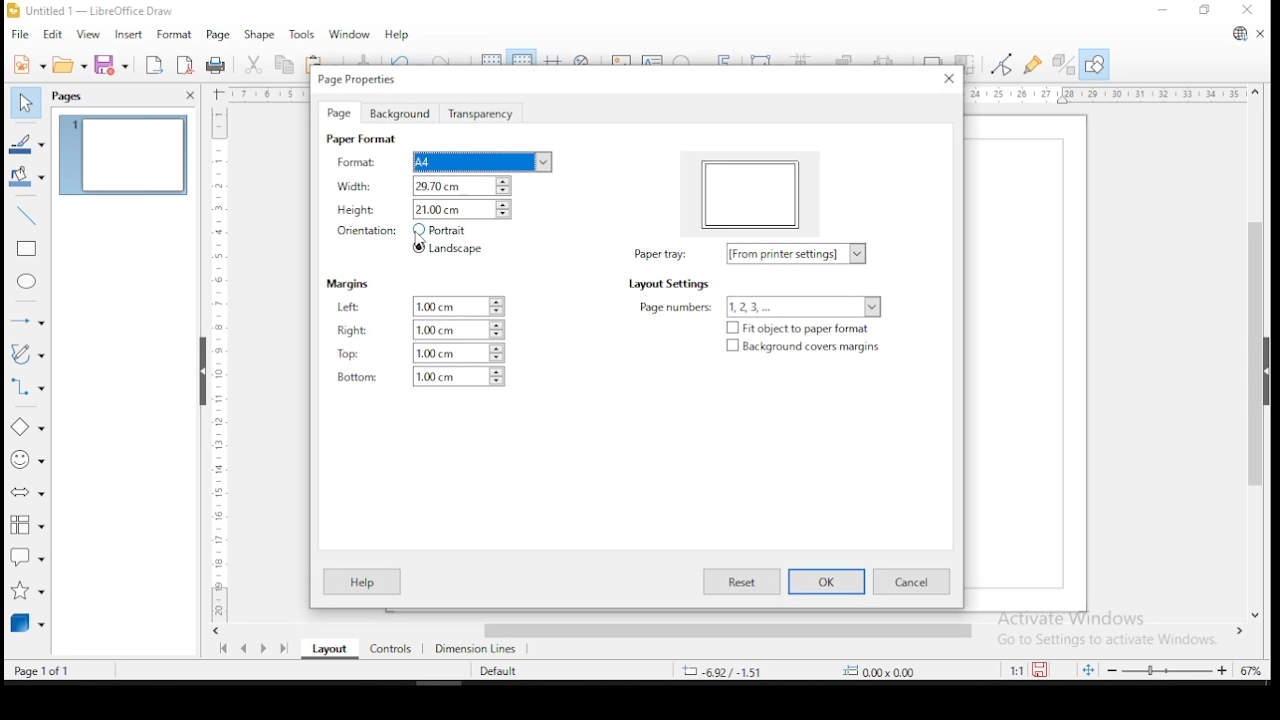 Image resolution: width=1280 pixels, height=720 pixels. Describe the element at coordinates (26, 142) in the screenshot. I see `line color` at that location.